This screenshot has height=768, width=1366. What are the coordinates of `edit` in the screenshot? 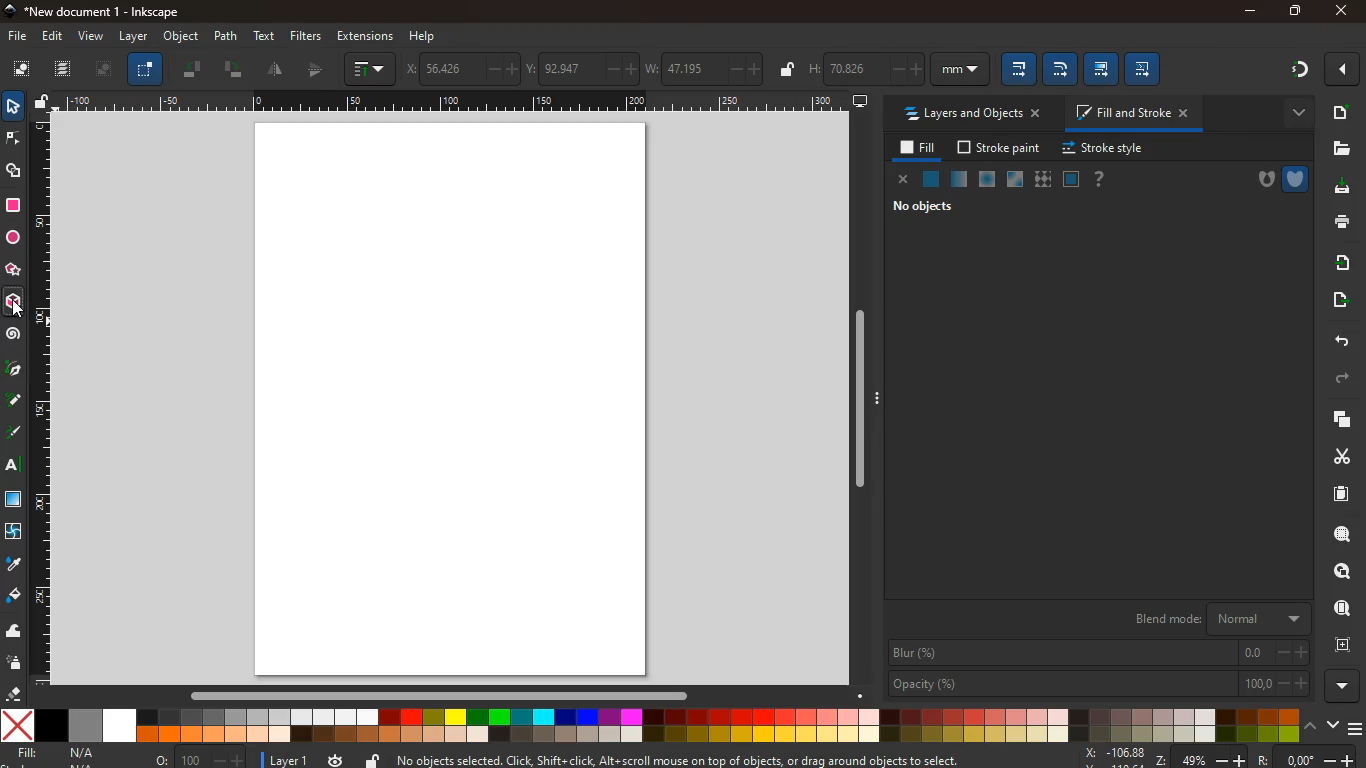 It's located at (57, 38).